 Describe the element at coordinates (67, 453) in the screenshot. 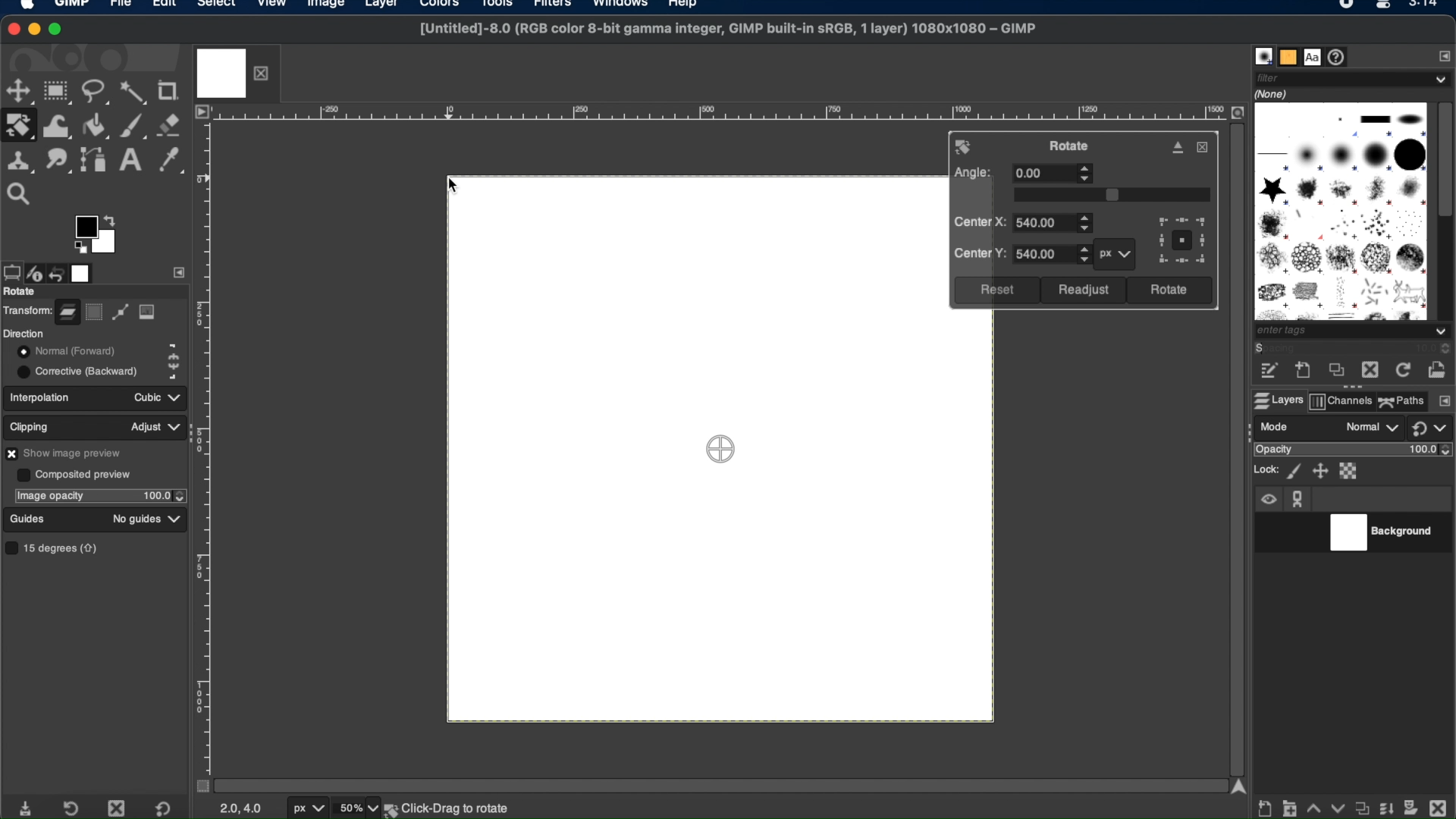

I see `show image preview` at that location.